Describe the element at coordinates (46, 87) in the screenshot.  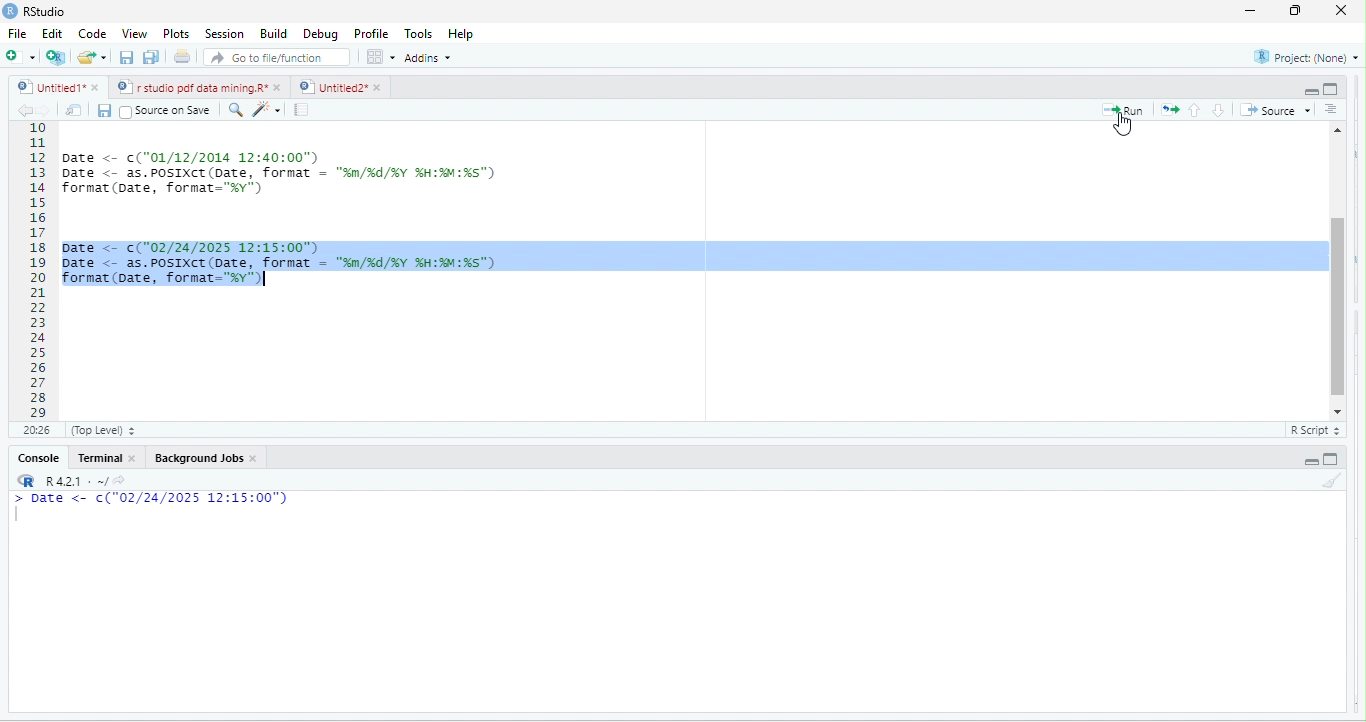
I see ` Untitled1` at that location.